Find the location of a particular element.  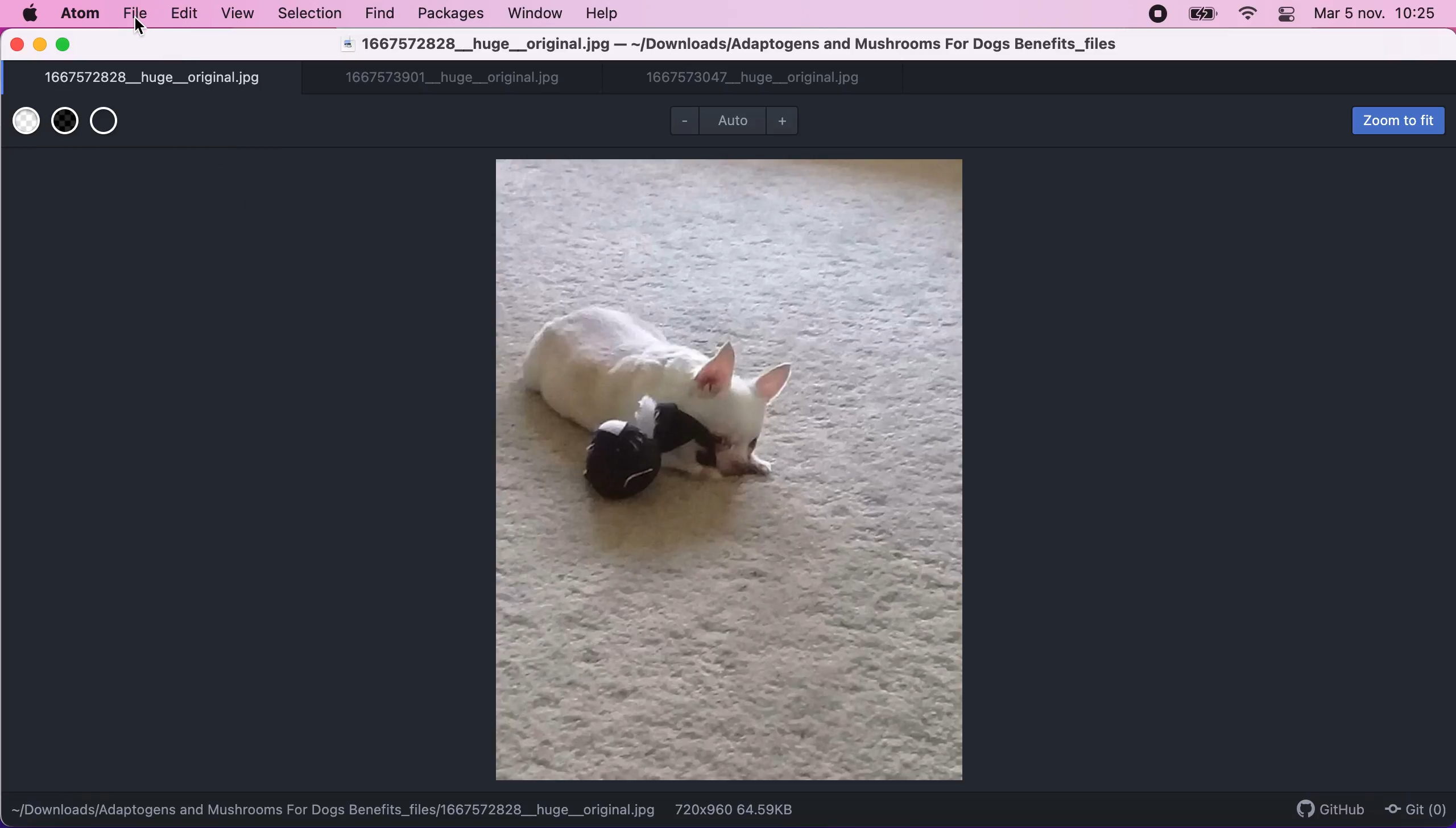

view is located at coordinates (239, 15).